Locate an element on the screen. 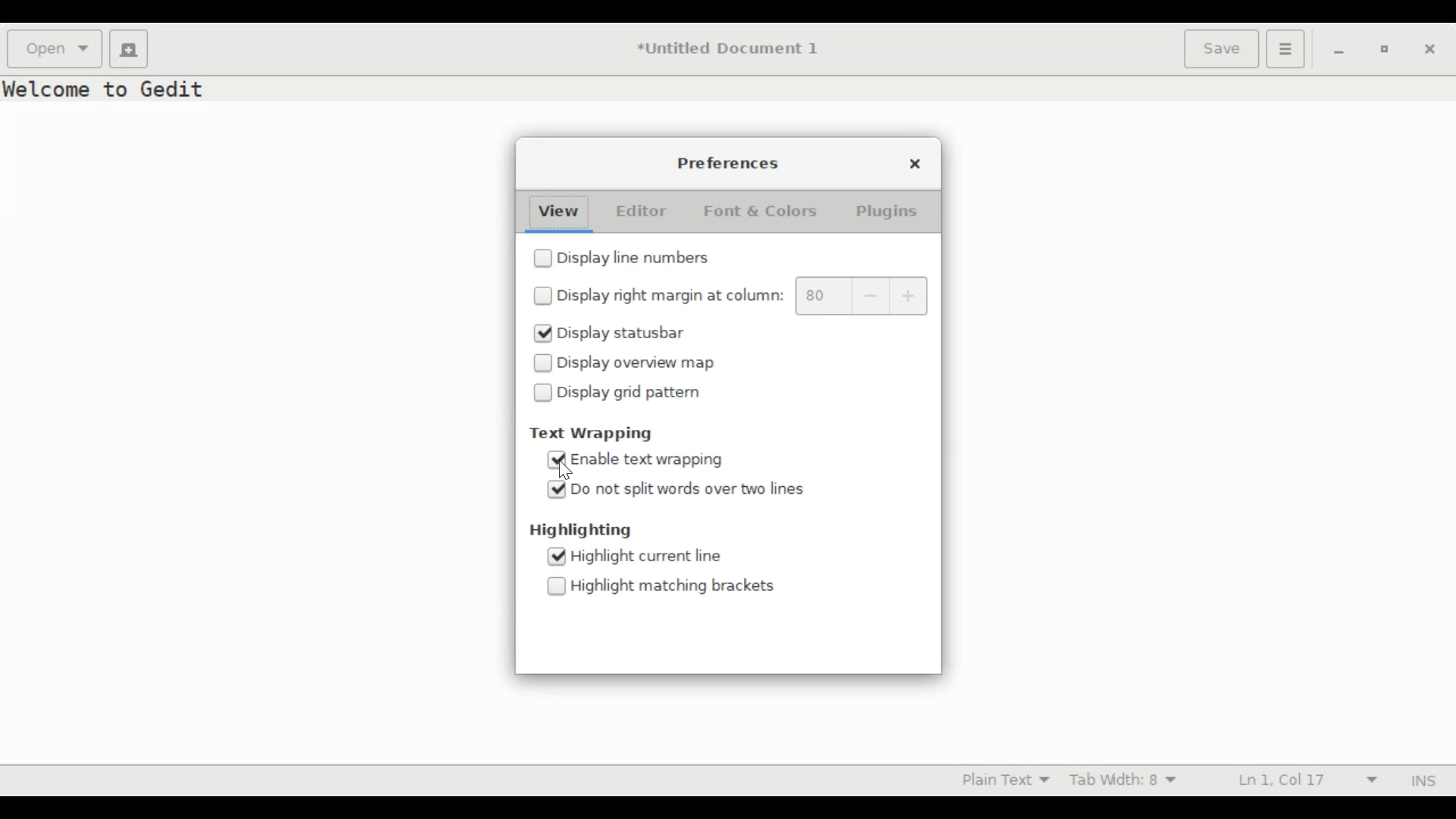 The image size is (1456, 819). decrease is located at coordinates (871, 296).